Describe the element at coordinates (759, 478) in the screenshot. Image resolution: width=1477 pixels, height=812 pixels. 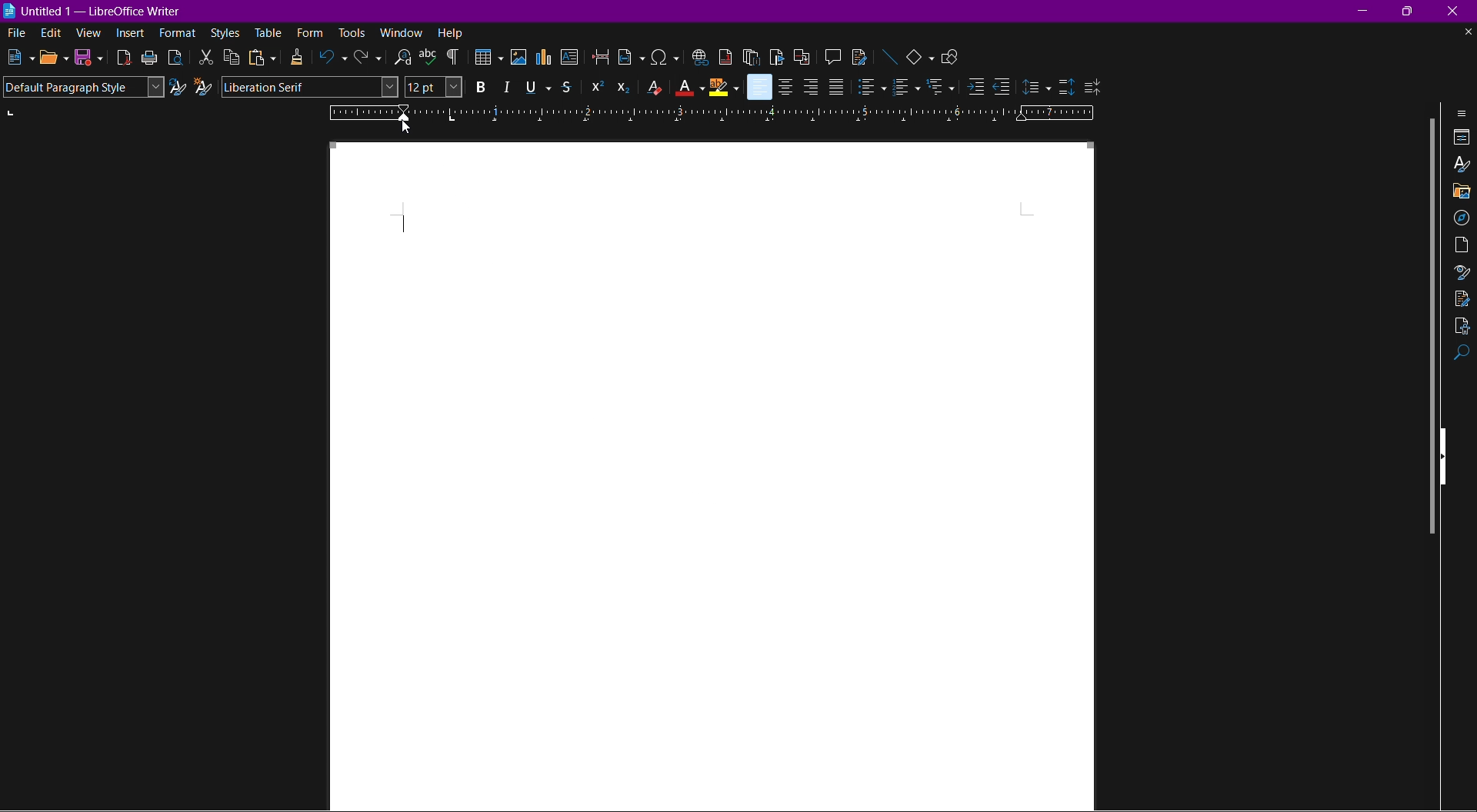
I see `Page` at that location.